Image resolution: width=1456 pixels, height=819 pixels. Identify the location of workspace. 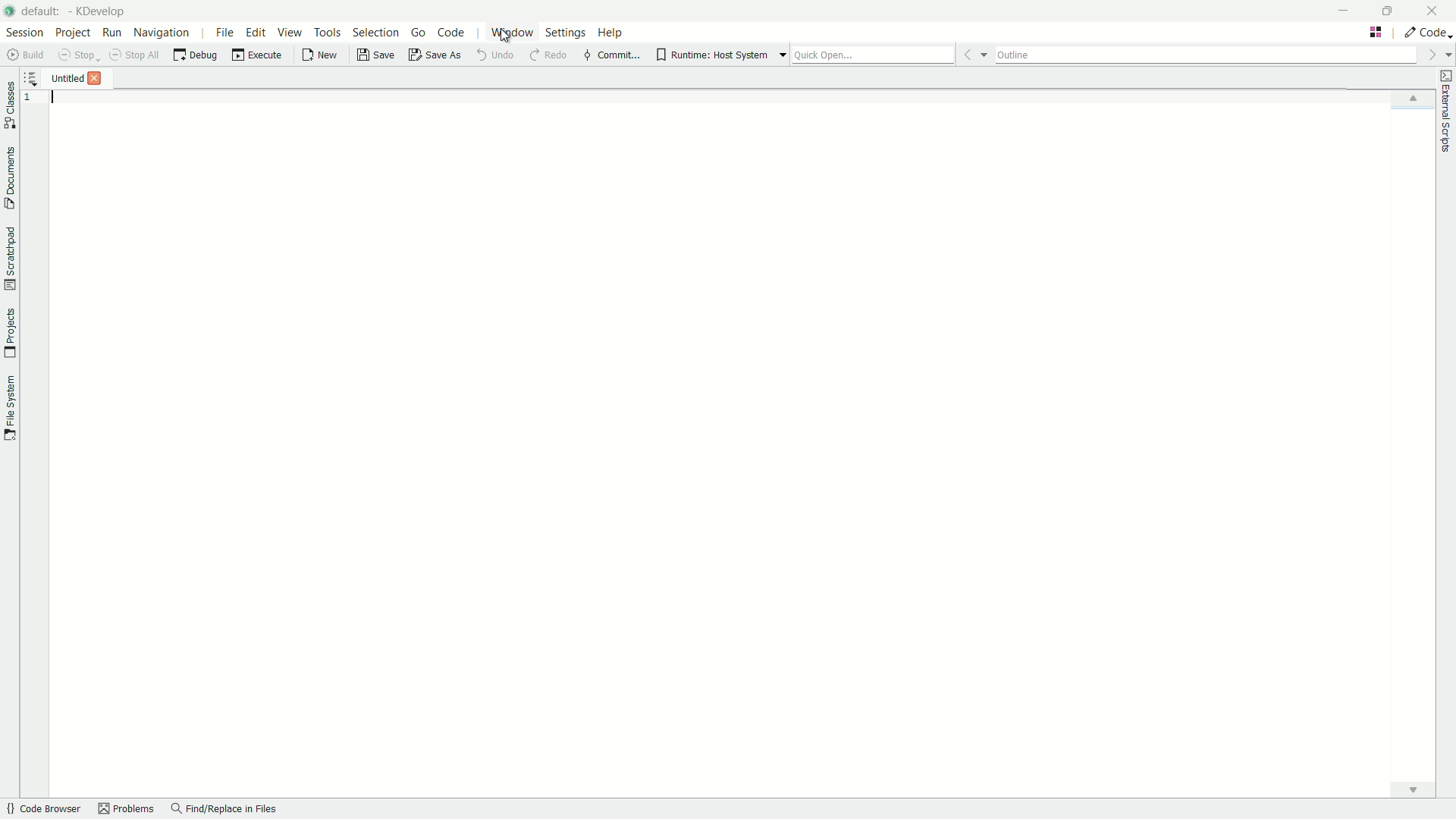
(750, 439).